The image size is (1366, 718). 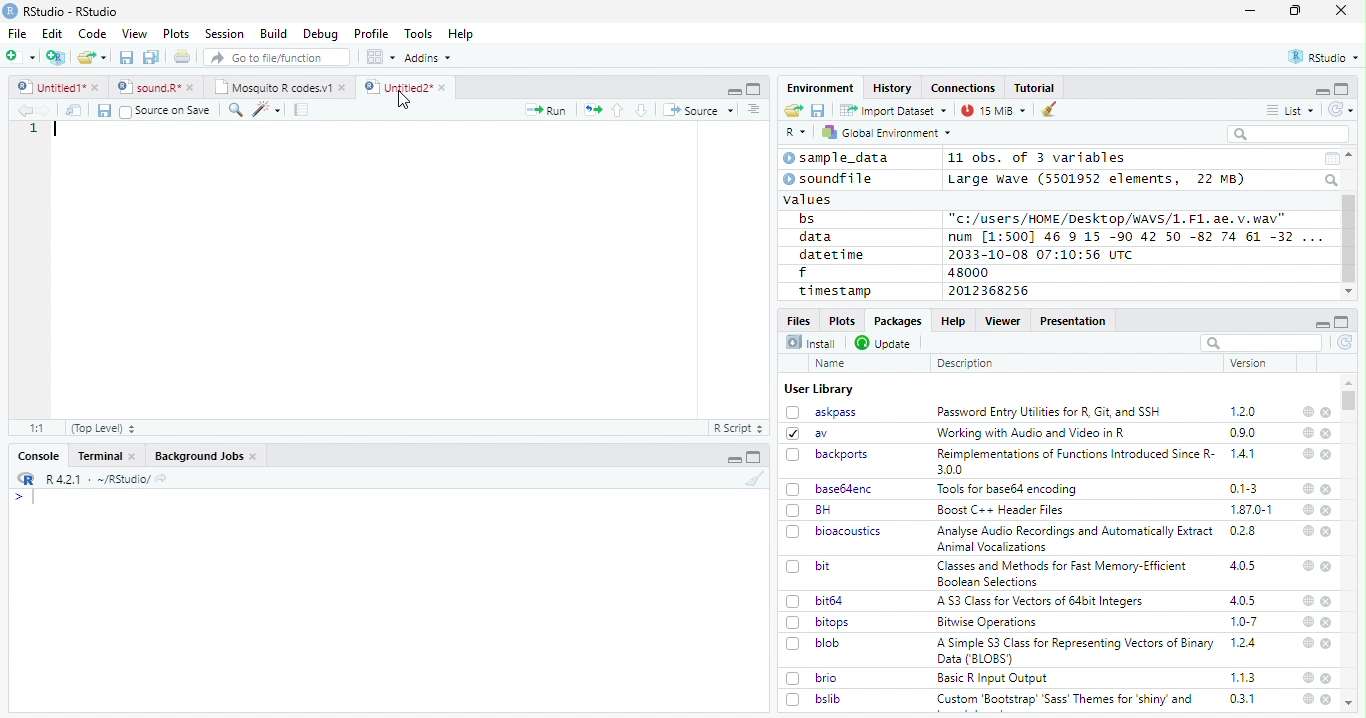 What do you see at coordinates (966, 272) in the screenshot?
I see `48000` at bounding box center [966, 272].